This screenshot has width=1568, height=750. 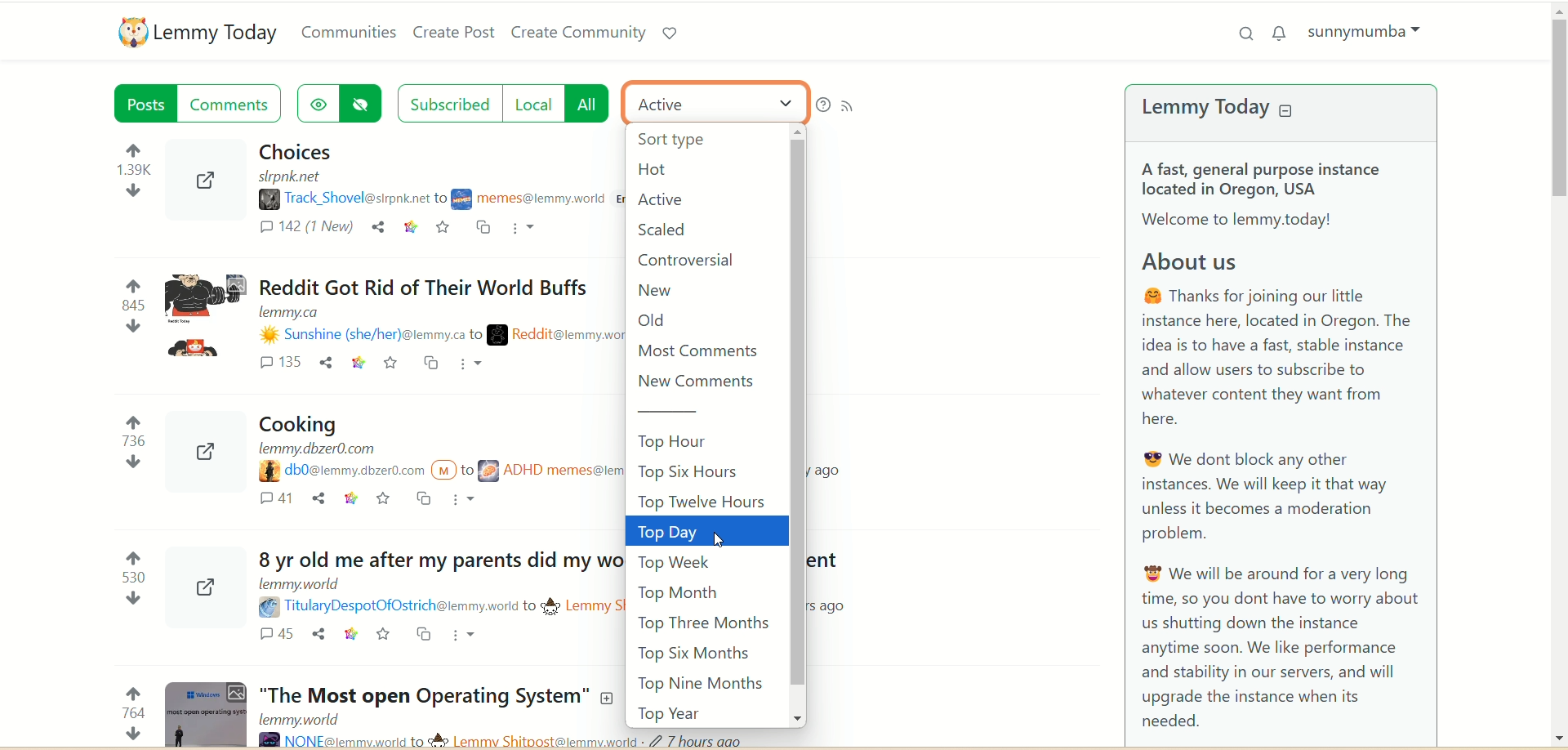 I want to click on A brief about the Lemmy today, so click(x=1283, y=447).